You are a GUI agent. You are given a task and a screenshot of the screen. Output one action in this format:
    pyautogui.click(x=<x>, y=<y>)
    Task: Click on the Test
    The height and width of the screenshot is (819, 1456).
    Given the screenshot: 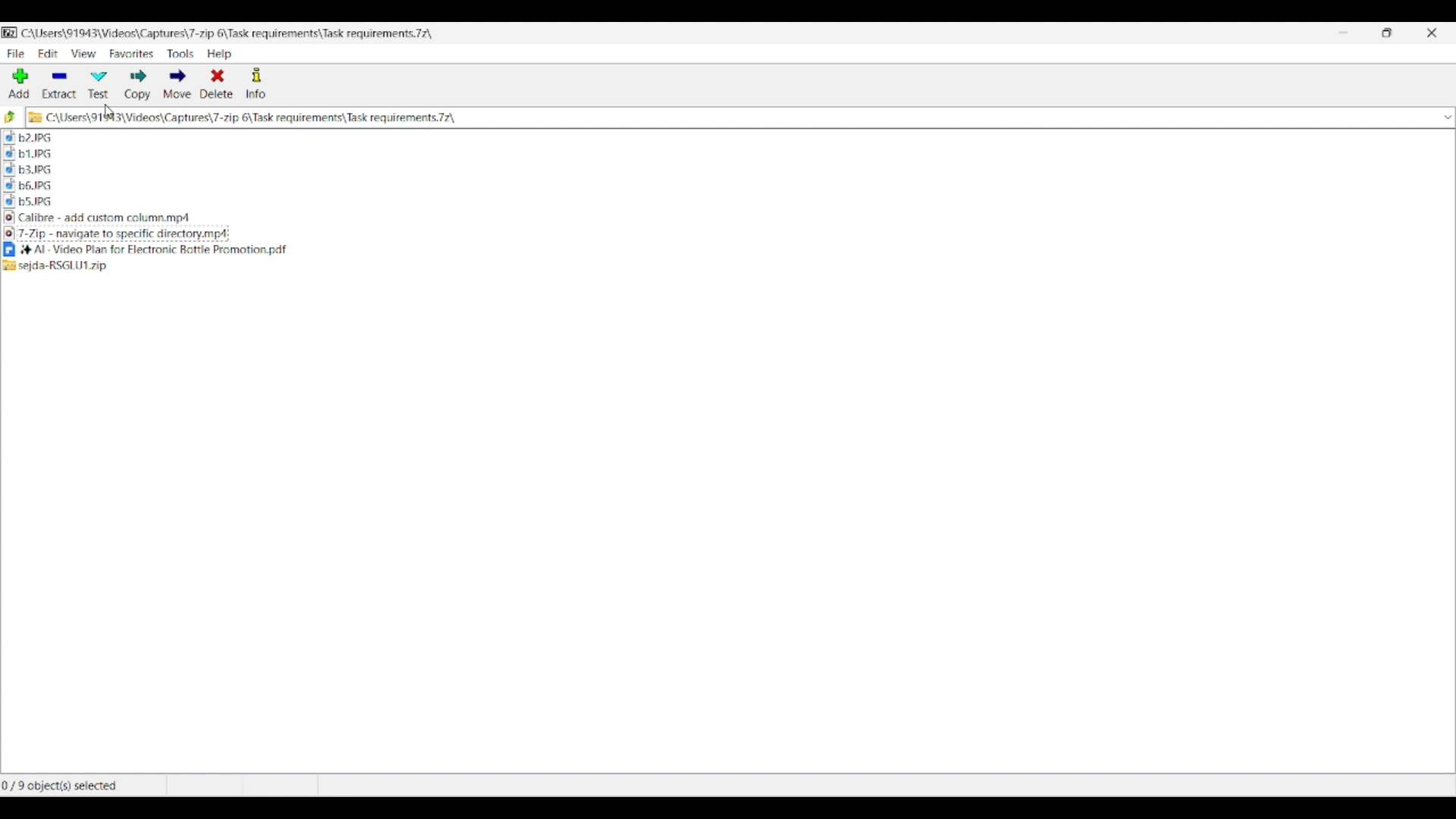 What is the action you would take?
    pyautogui.click(x=99, y=86)
    